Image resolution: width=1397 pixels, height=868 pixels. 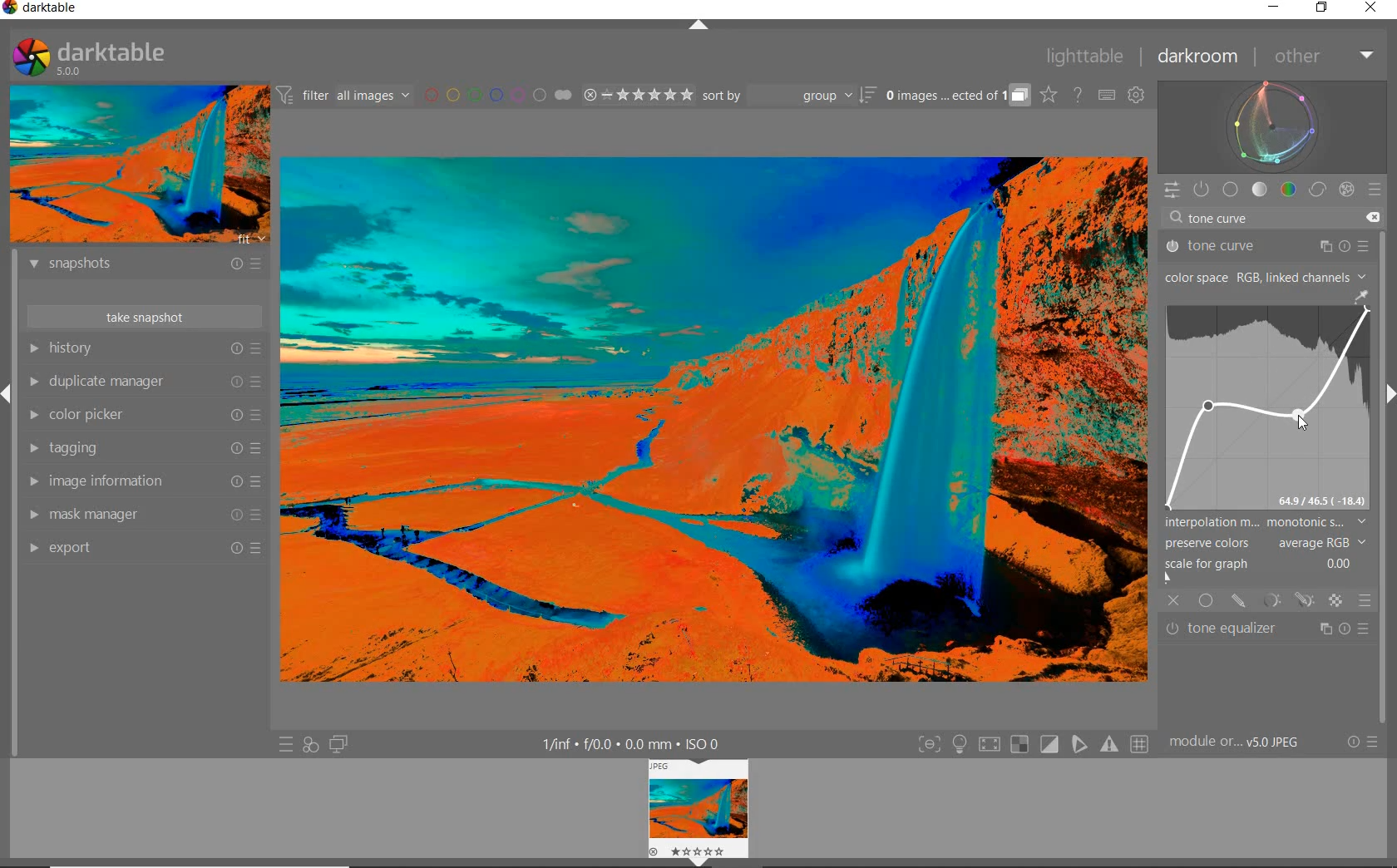 What do you see at coordinates (144, 381) in the screenshot?
I see `duplicate manager` at bounding box center [144, 381].